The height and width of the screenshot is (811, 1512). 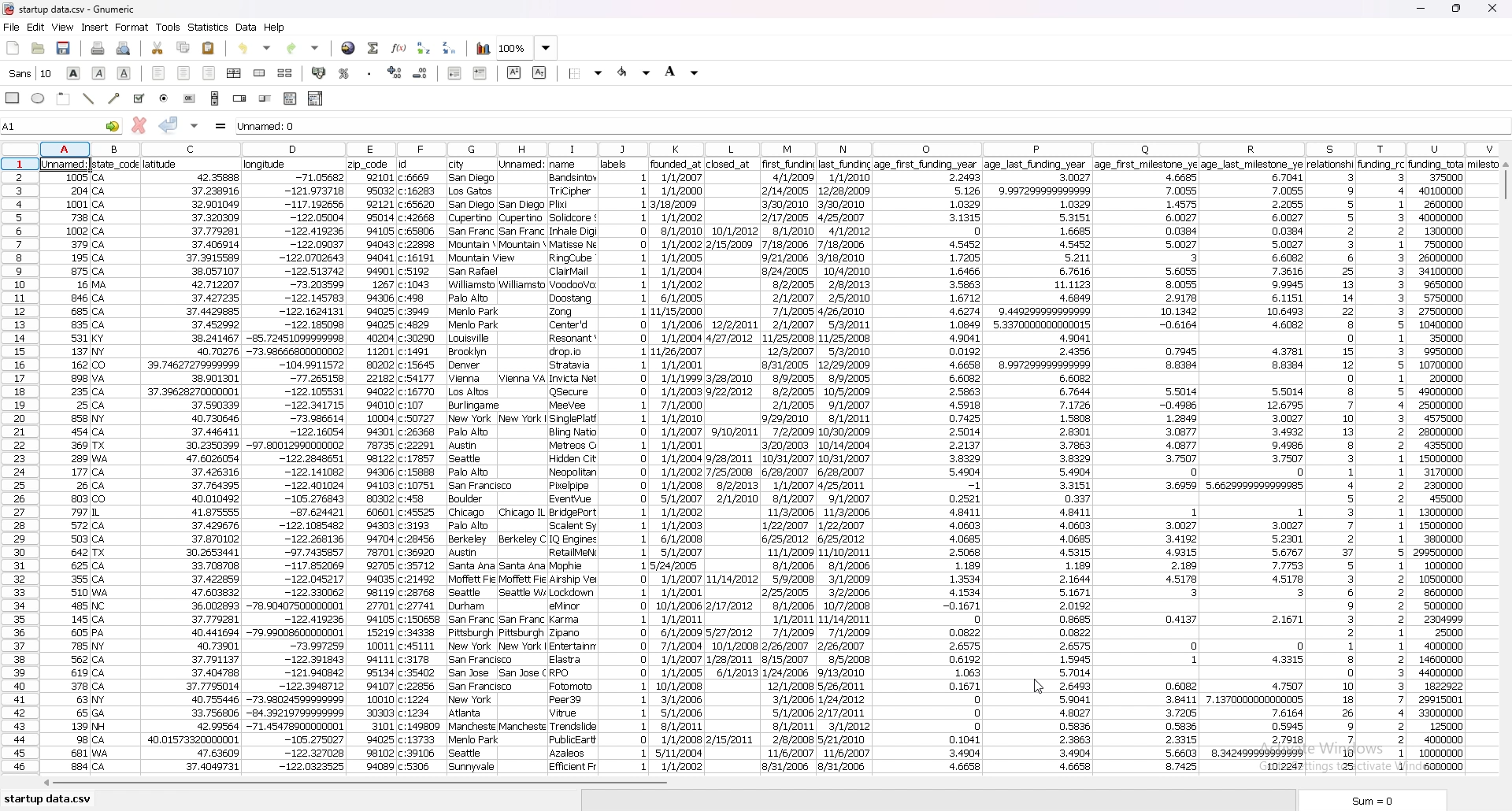 I want to click on file name, so click(x=88, y=9).